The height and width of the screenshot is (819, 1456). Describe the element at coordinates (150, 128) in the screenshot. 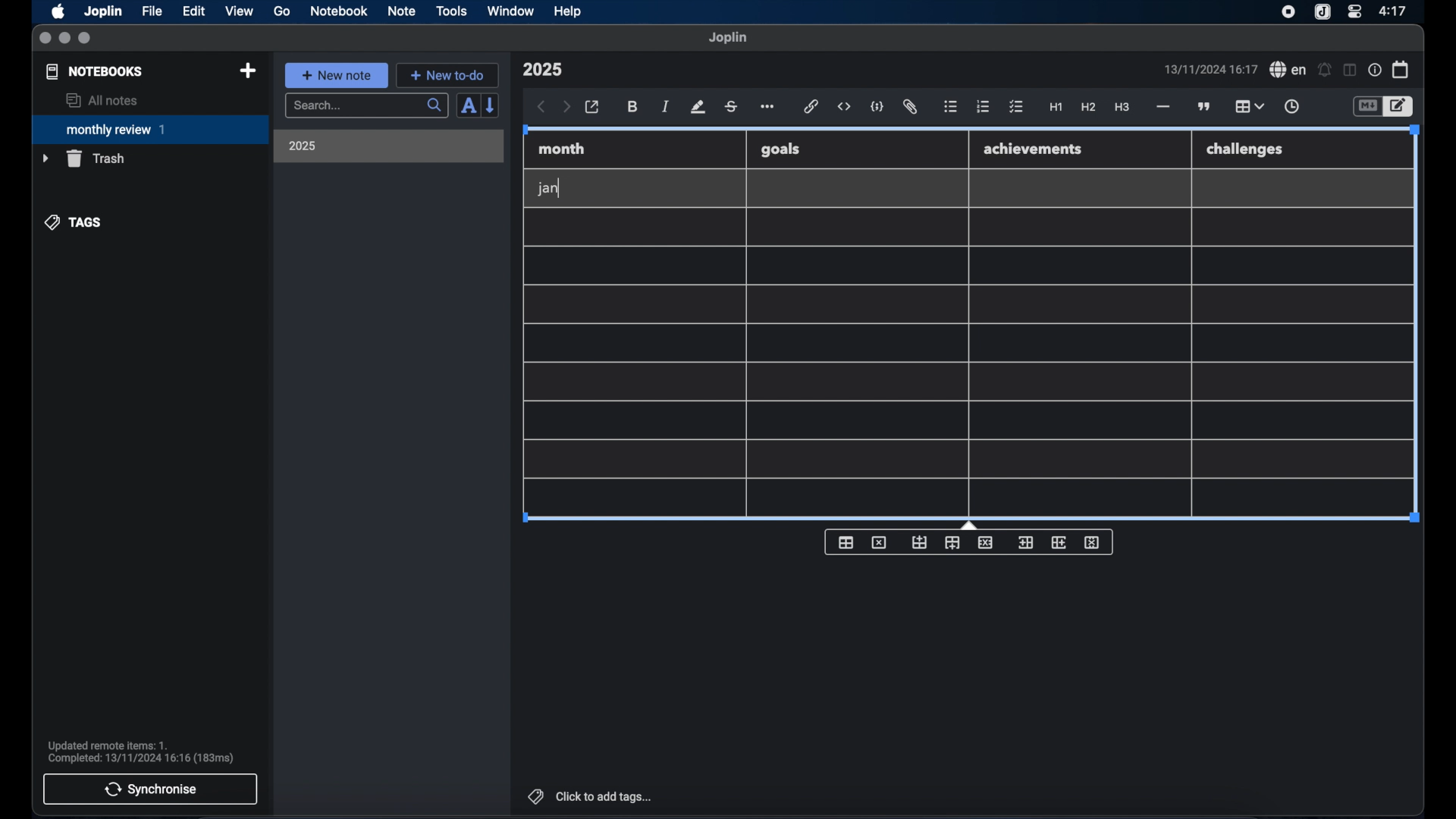

I see `monthly review` at that location.